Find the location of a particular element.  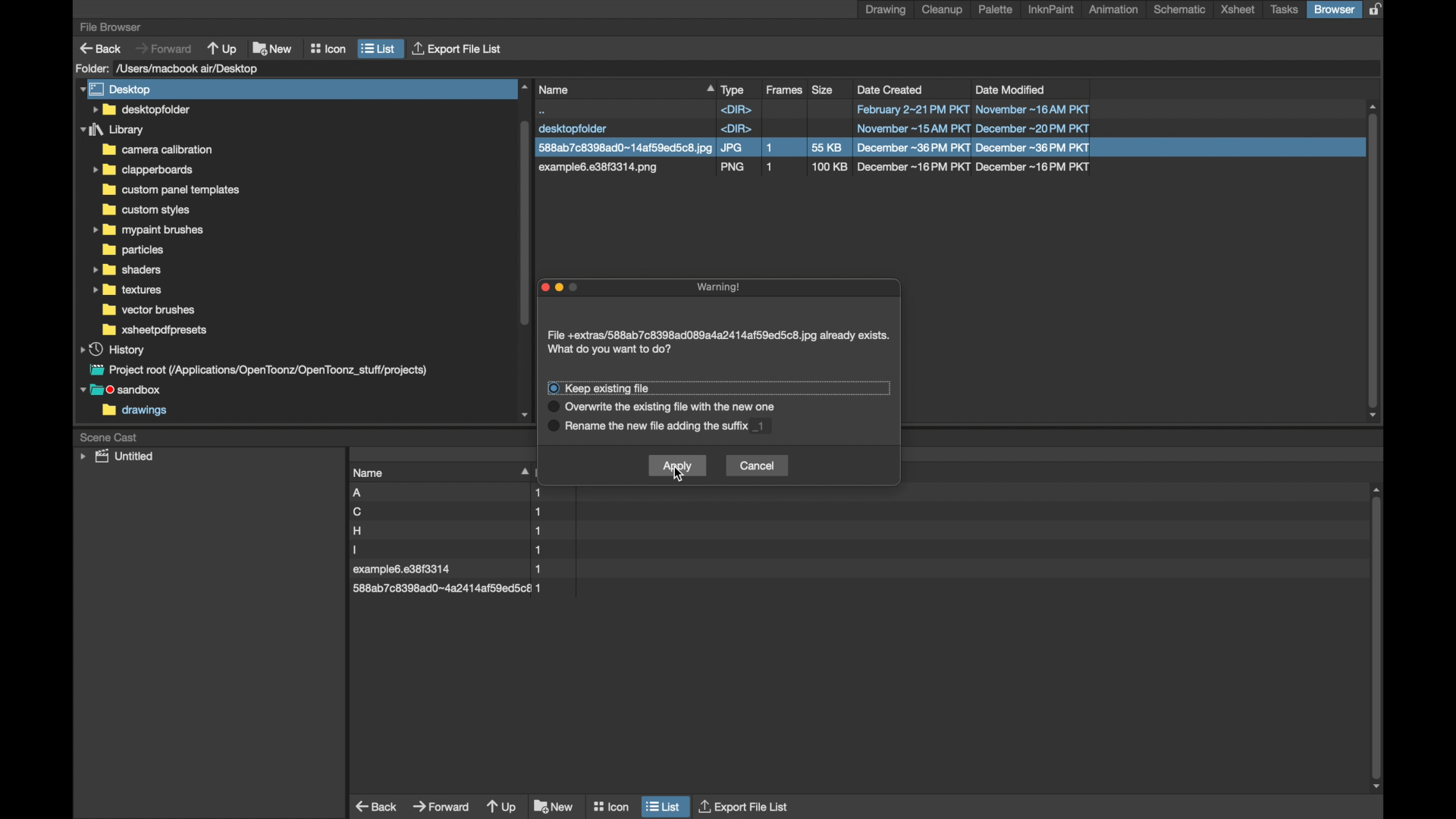

foler is located at coordinates (155, 330).